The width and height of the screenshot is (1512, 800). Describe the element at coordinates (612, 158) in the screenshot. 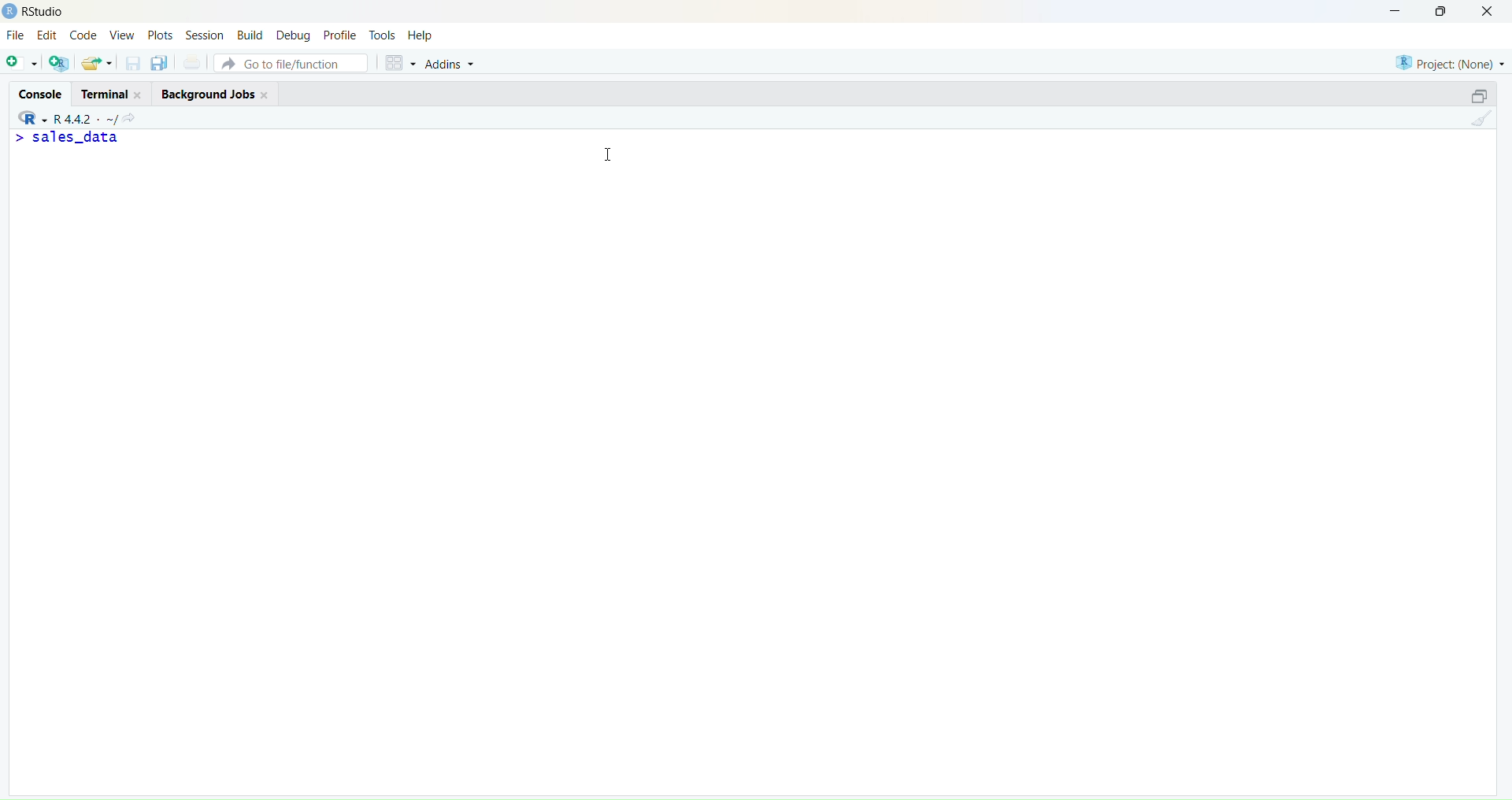

I see `cursor` at that location.